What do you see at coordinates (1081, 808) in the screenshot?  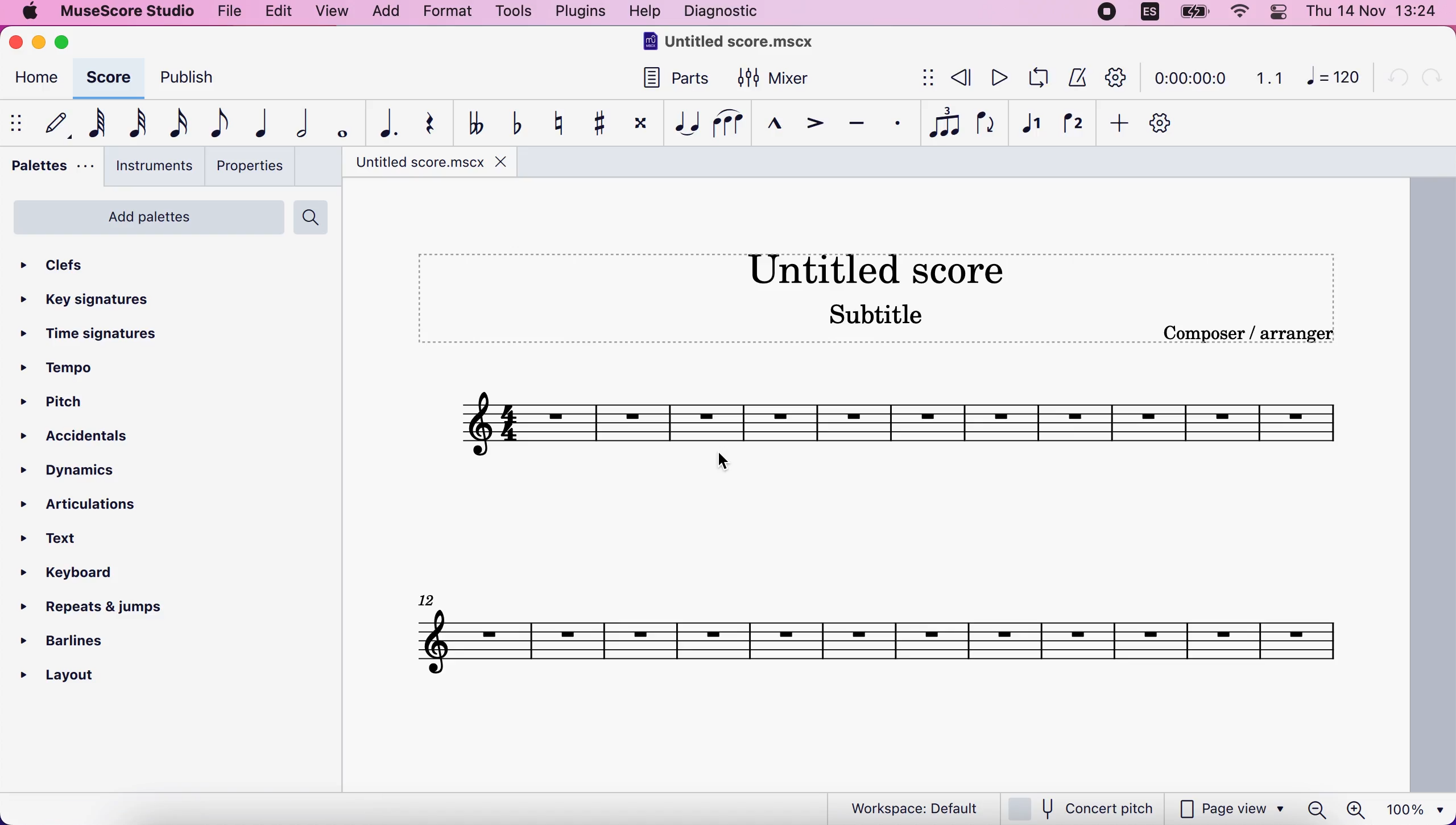 I see `concert pitch` at bounding box center [1081, 808].